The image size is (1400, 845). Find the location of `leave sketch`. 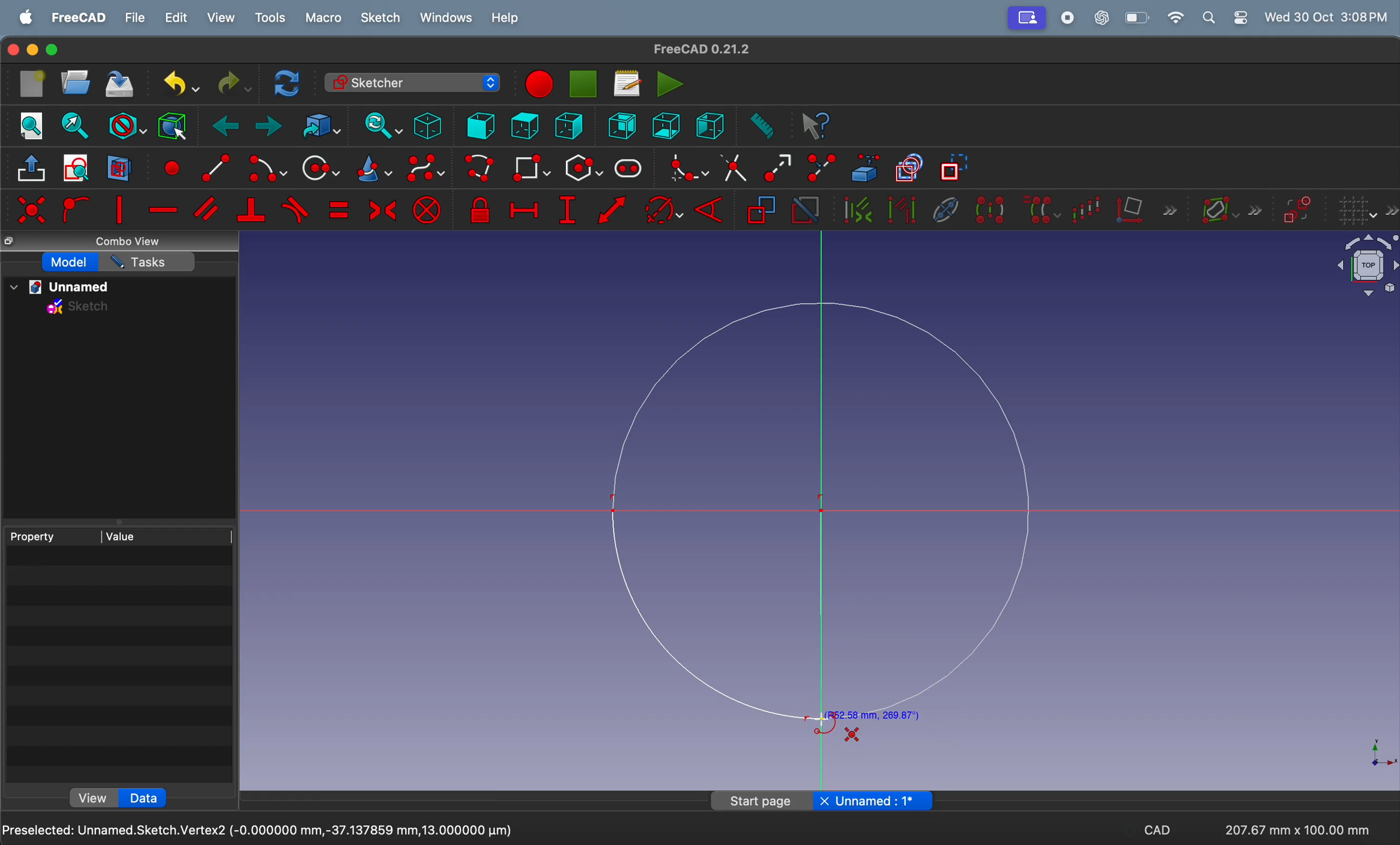

leave sketch is located at coordinates (33, 171).